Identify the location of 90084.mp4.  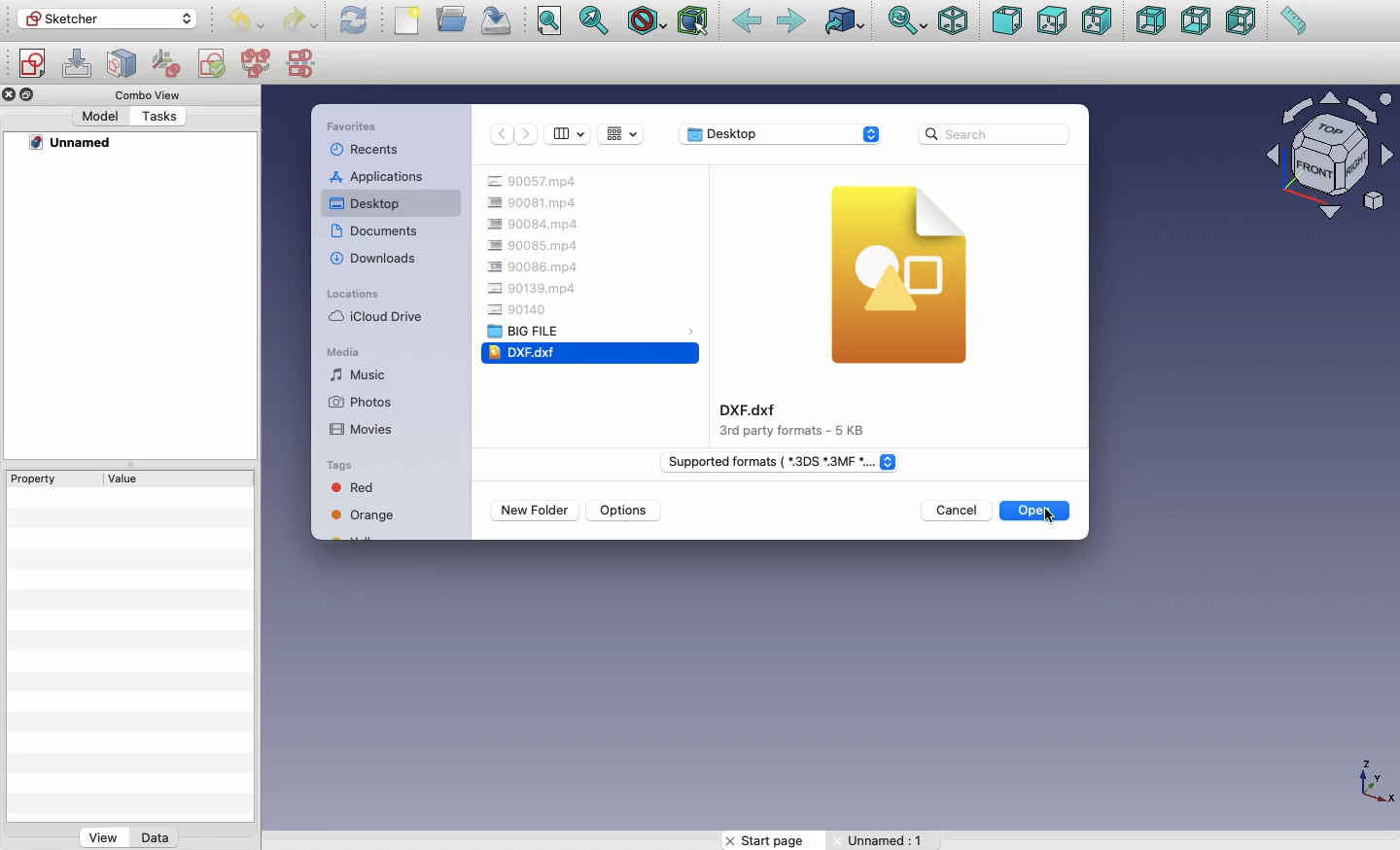
(542, 222).